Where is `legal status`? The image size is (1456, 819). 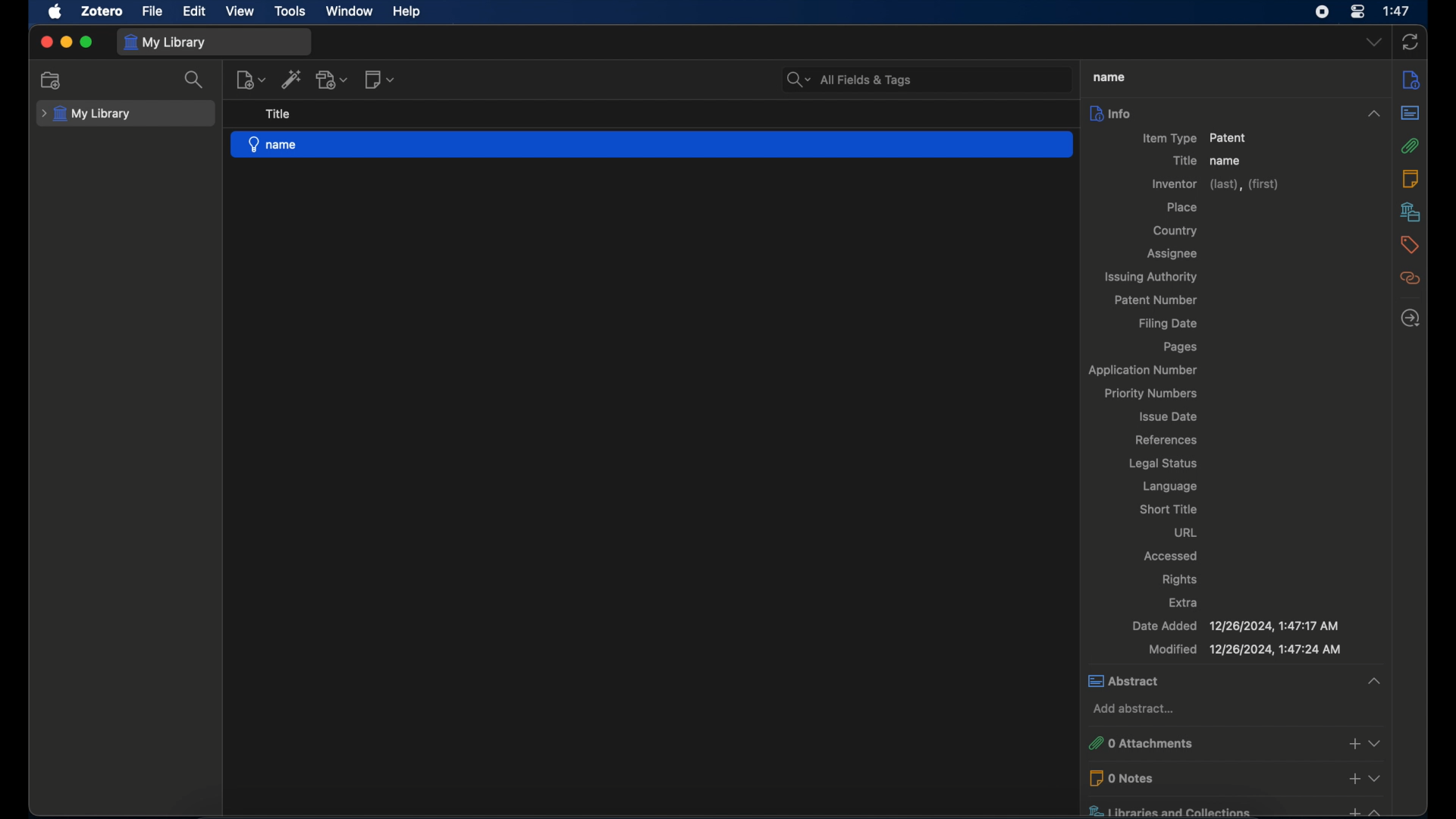
legal status is located at coordinates (1163, 463).